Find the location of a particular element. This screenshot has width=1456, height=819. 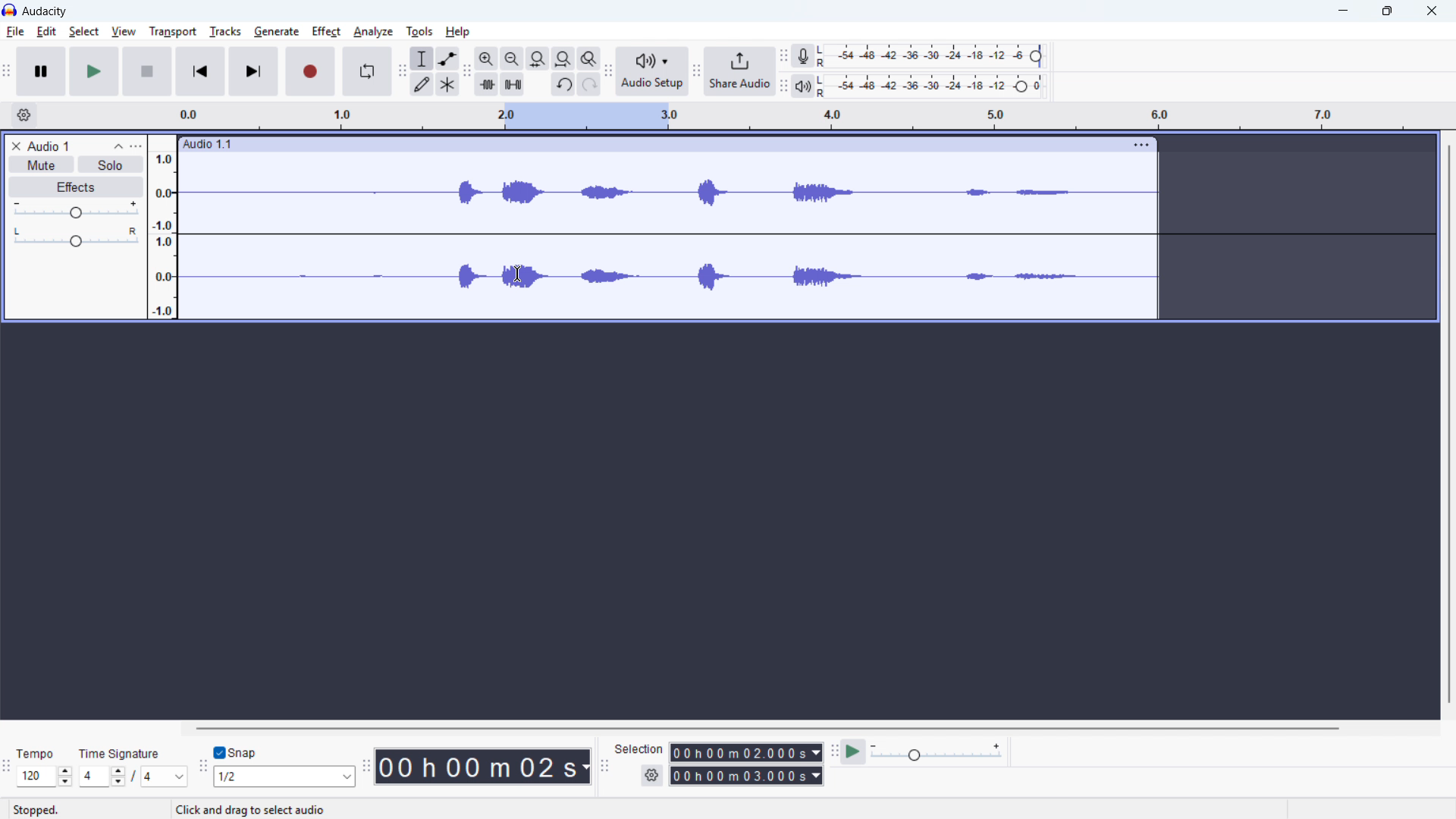

Play is located at coordinates (94, 71).